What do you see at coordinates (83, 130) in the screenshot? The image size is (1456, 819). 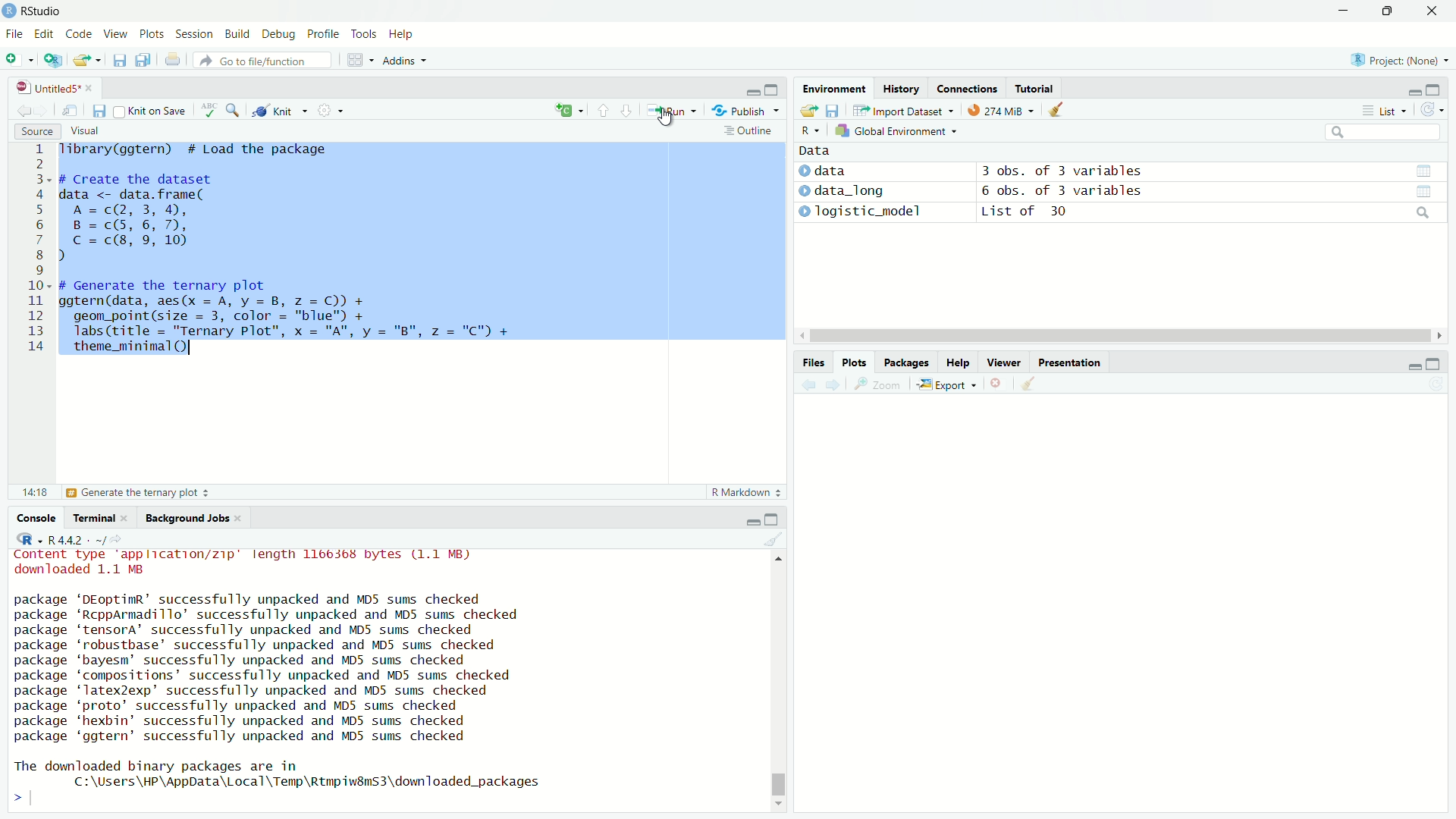 I see `Visual` at bounding box center [83, 130].